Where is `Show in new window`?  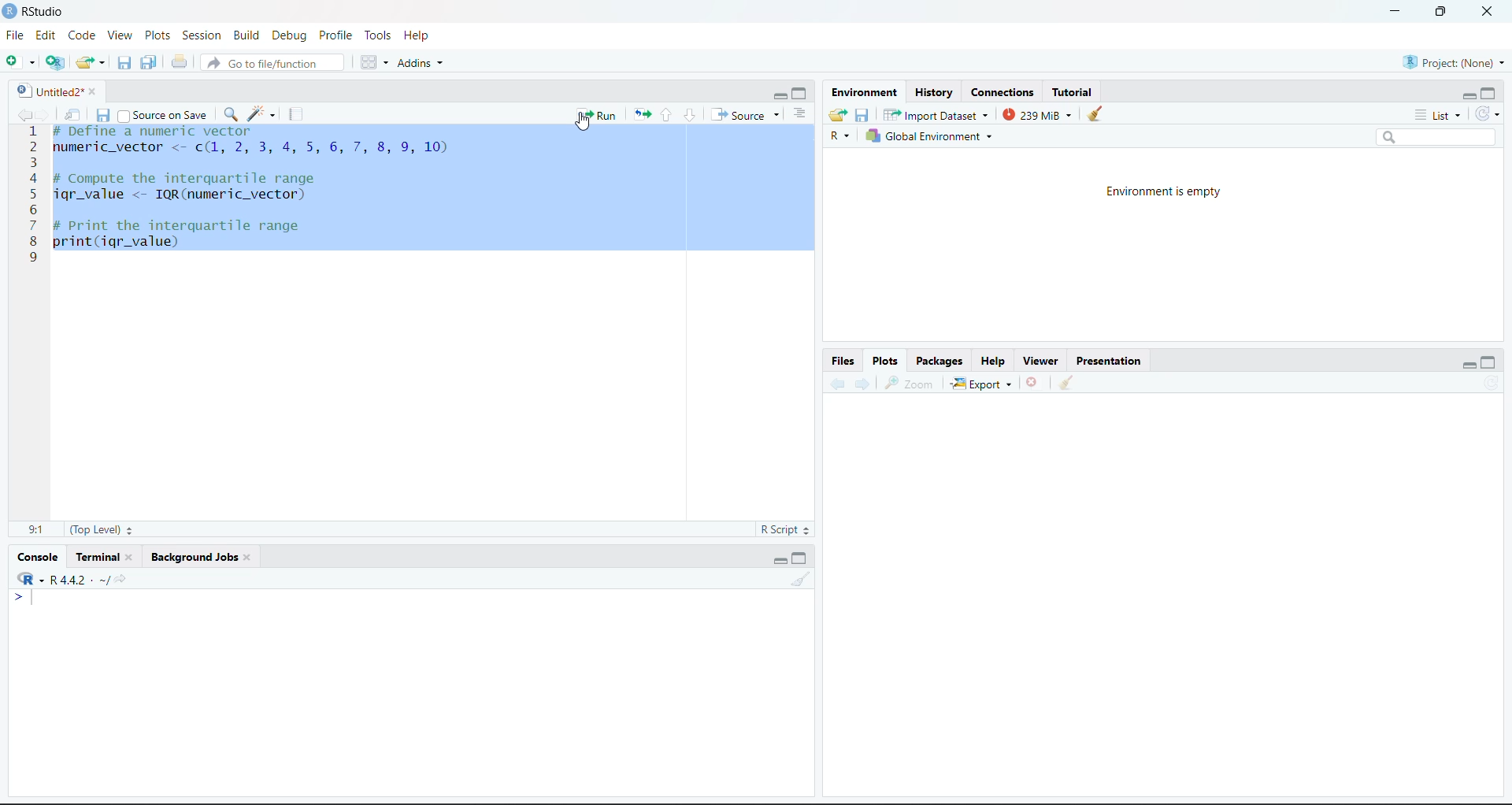 Show in new window is located at coordinates (74, 114).